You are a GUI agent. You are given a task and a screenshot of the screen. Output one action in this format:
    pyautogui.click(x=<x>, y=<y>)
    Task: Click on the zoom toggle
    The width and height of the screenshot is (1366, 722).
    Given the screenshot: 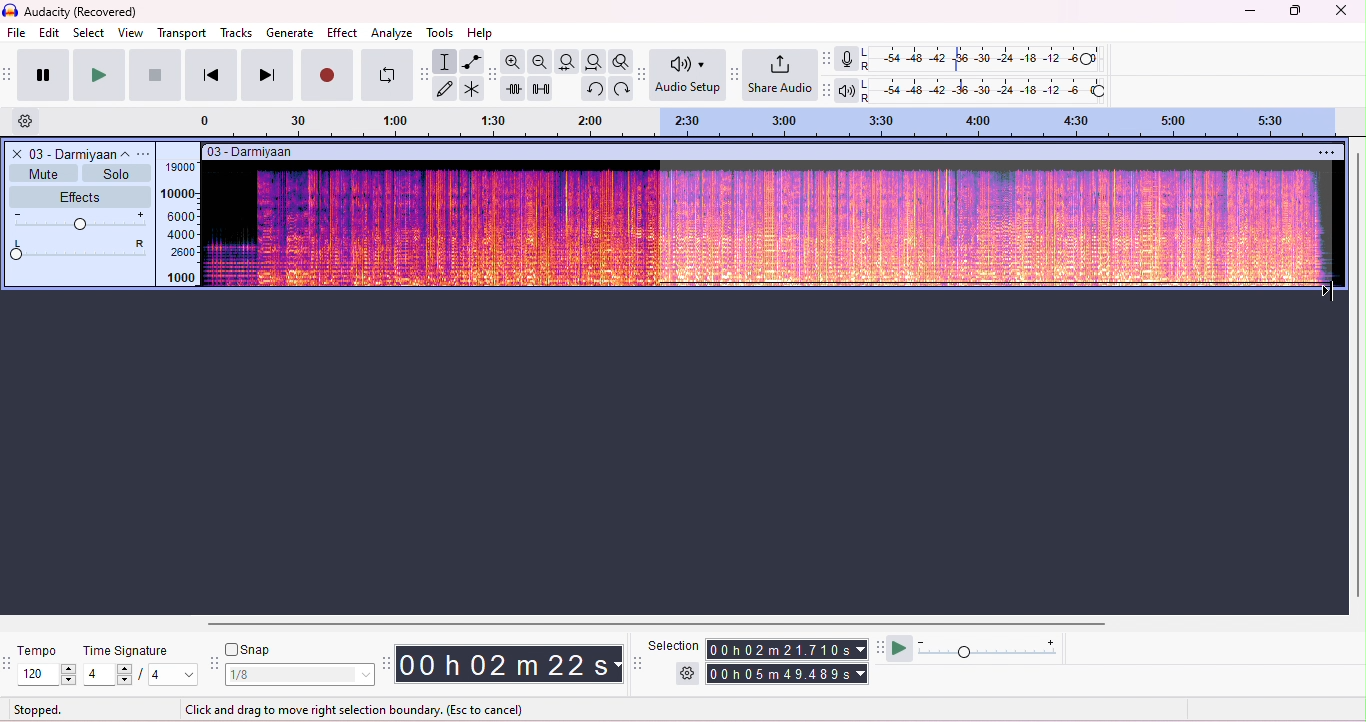 What is the action you would take?
    pyautogui.click(x=618, y=61)
    